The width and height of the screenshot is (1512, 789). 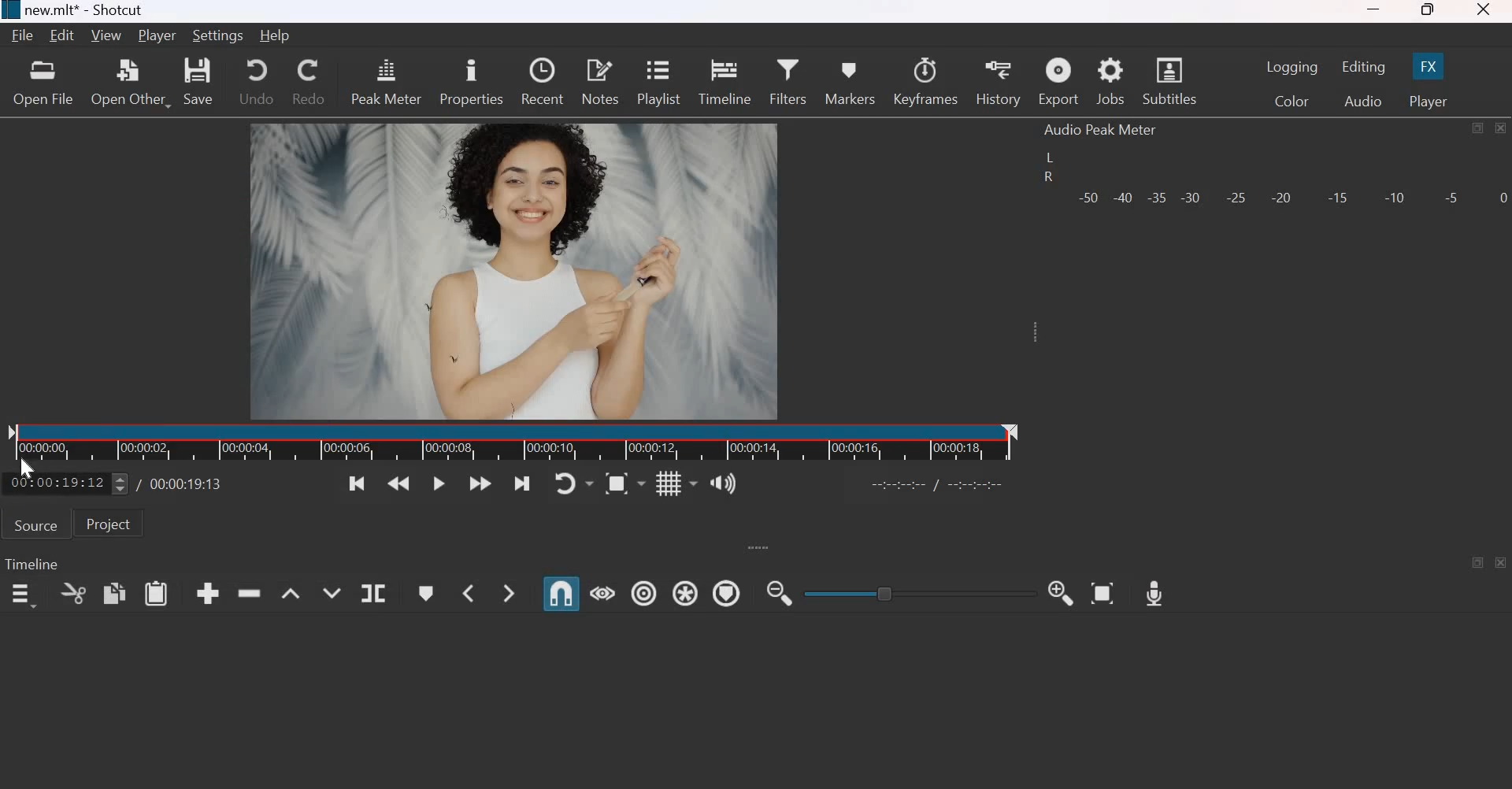 What do you see at coordinates (250, 591) in the screenshot?
I see `ripple delete` at bounding box center [250, 591].